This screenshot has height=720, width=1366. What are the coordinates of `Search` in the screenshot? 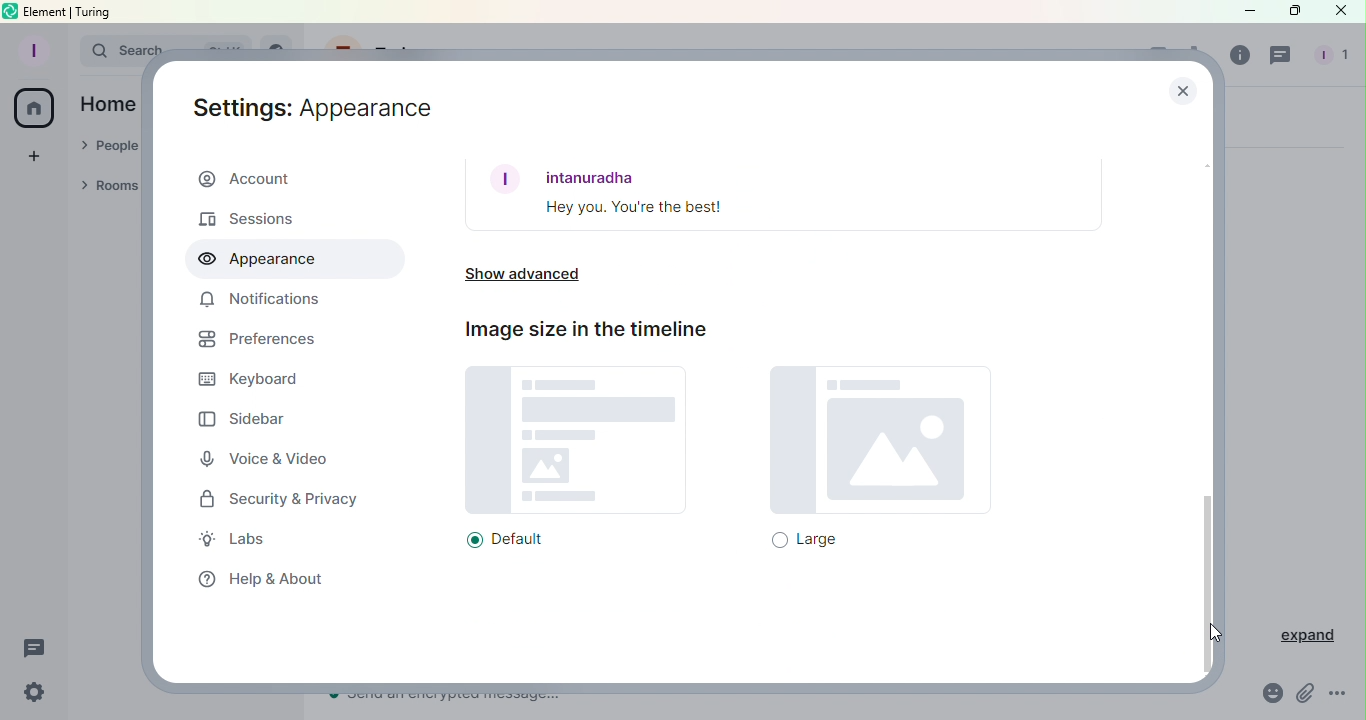 It's located at (108, 49).